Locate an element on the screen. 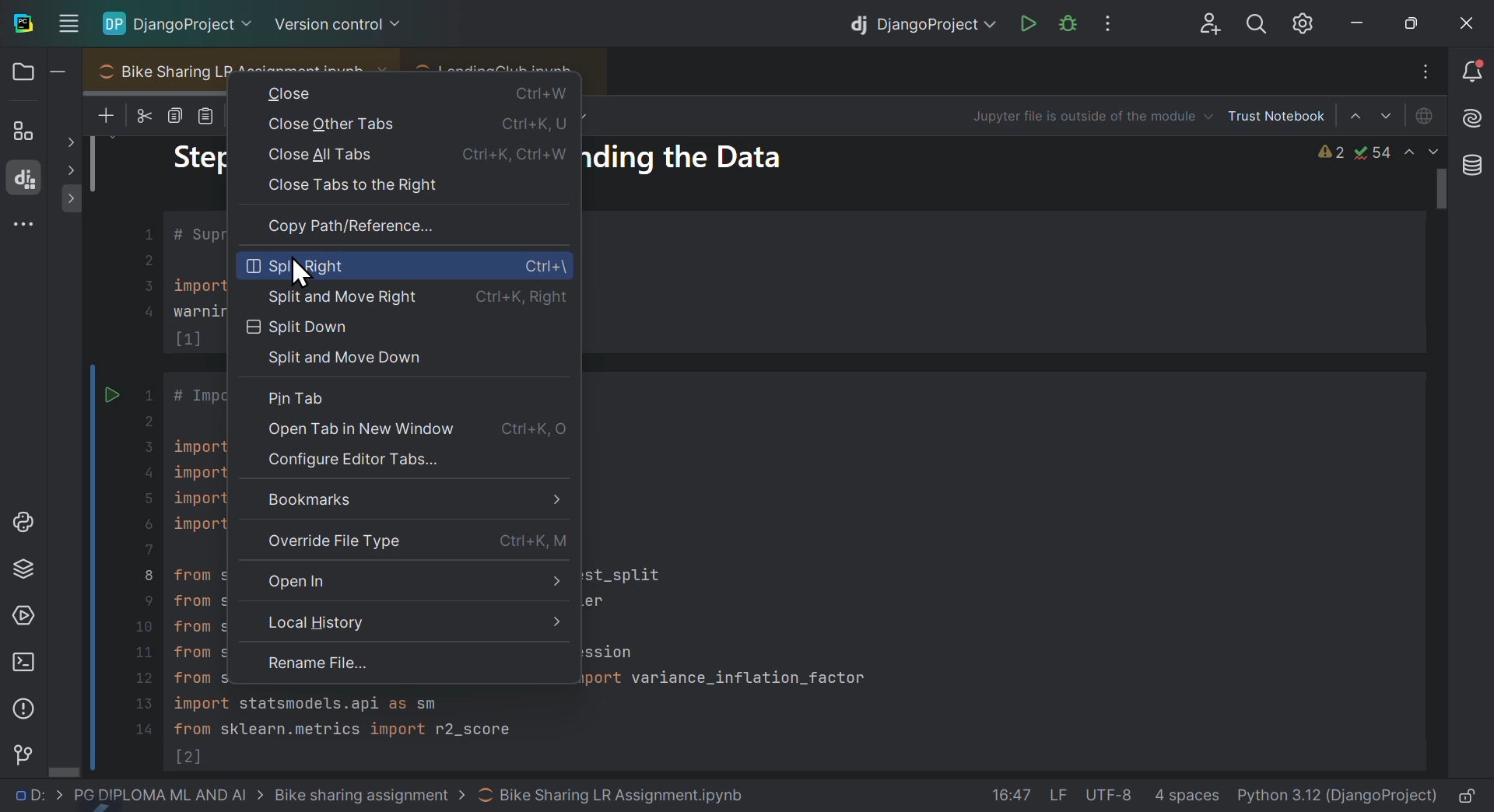 Image resolution: width=1494 pixels, height=812 pixels. Problems is located at coordinates (23, 707).